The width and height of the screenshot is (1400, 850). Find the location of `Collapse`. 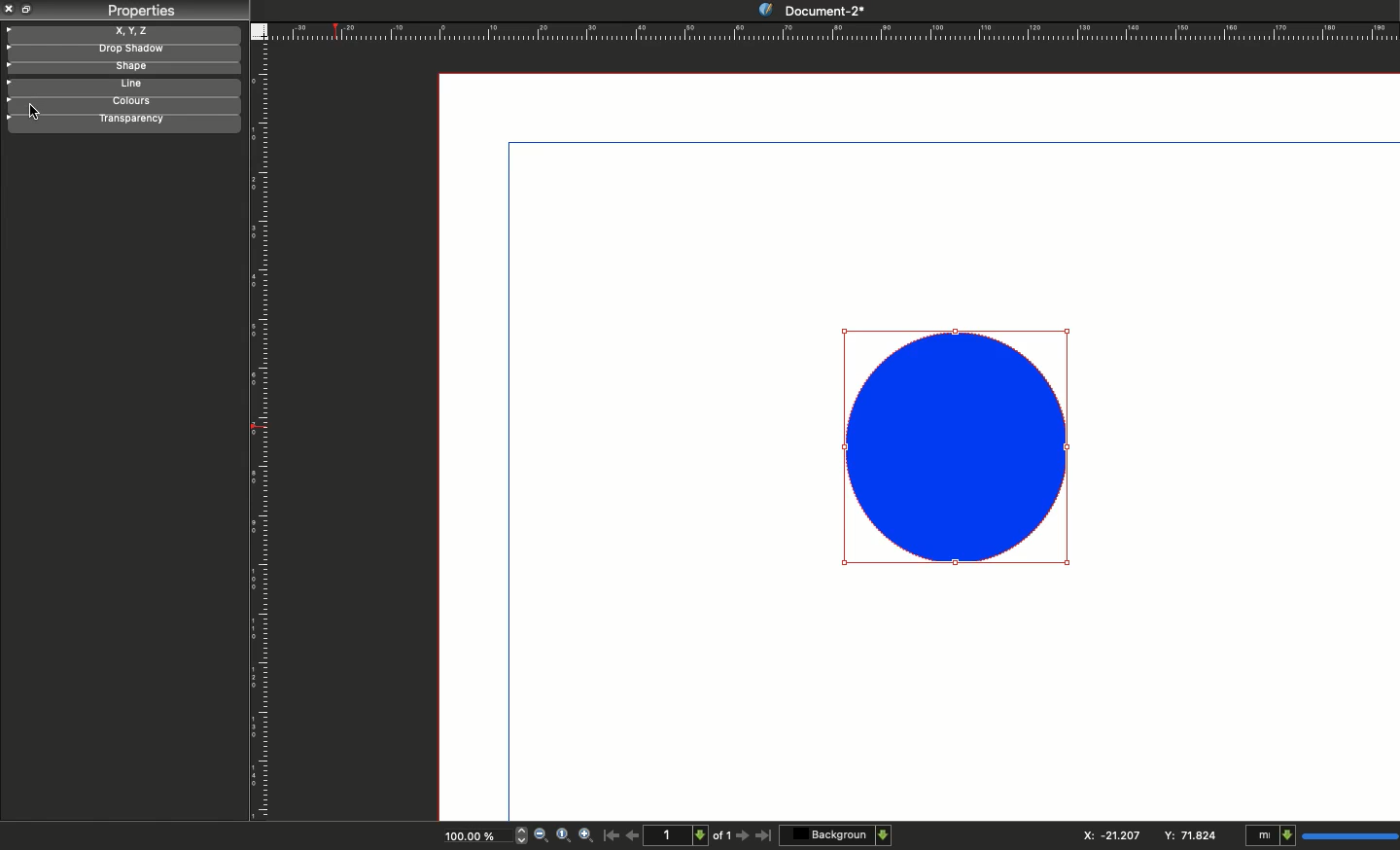

Collapse is located at coordinates (29, 9).